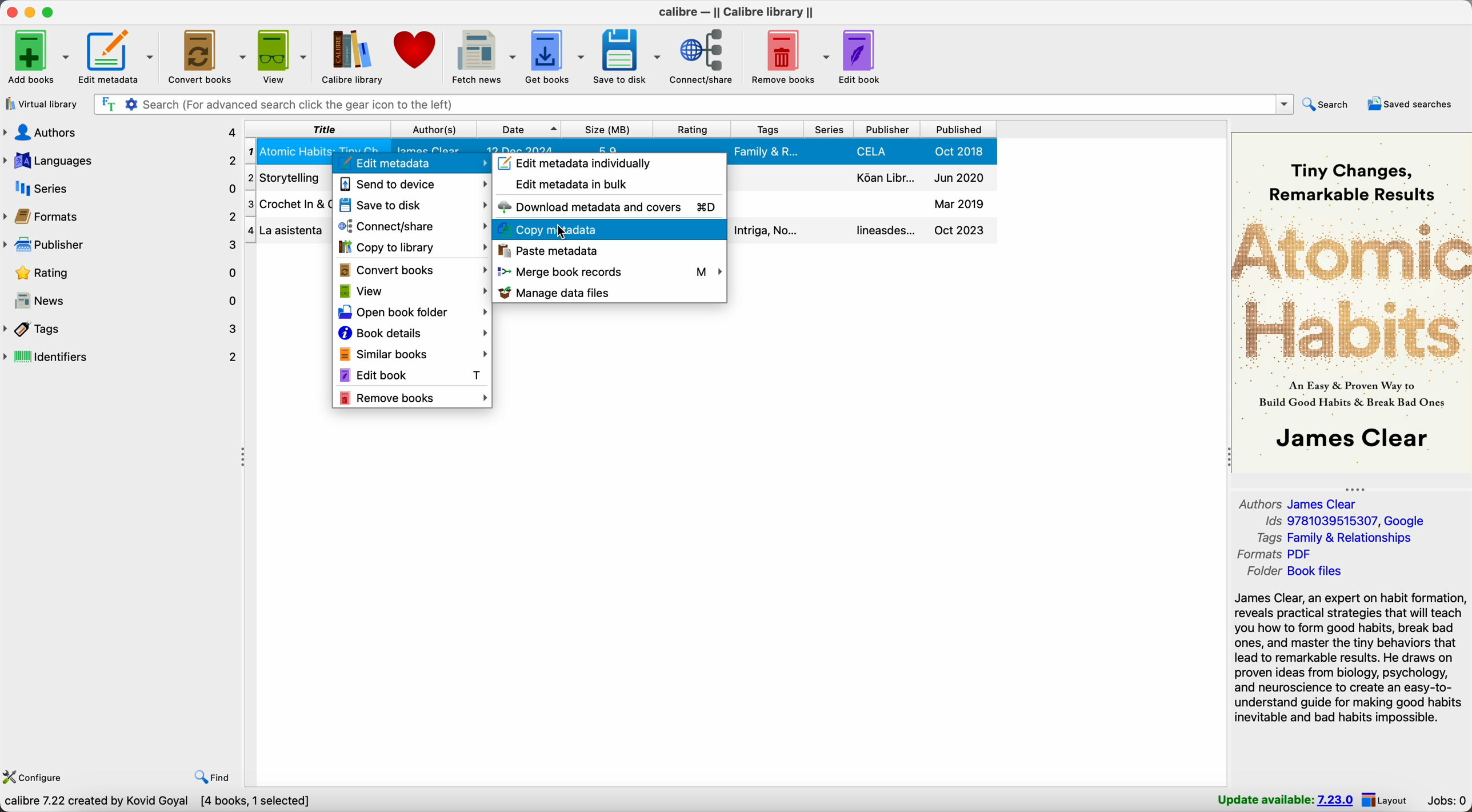 Image resolution: width=1472 pixels, height=812 pixels. Describe the element at coordinates (607, 129) in the screenshot. I see `size` at that location.